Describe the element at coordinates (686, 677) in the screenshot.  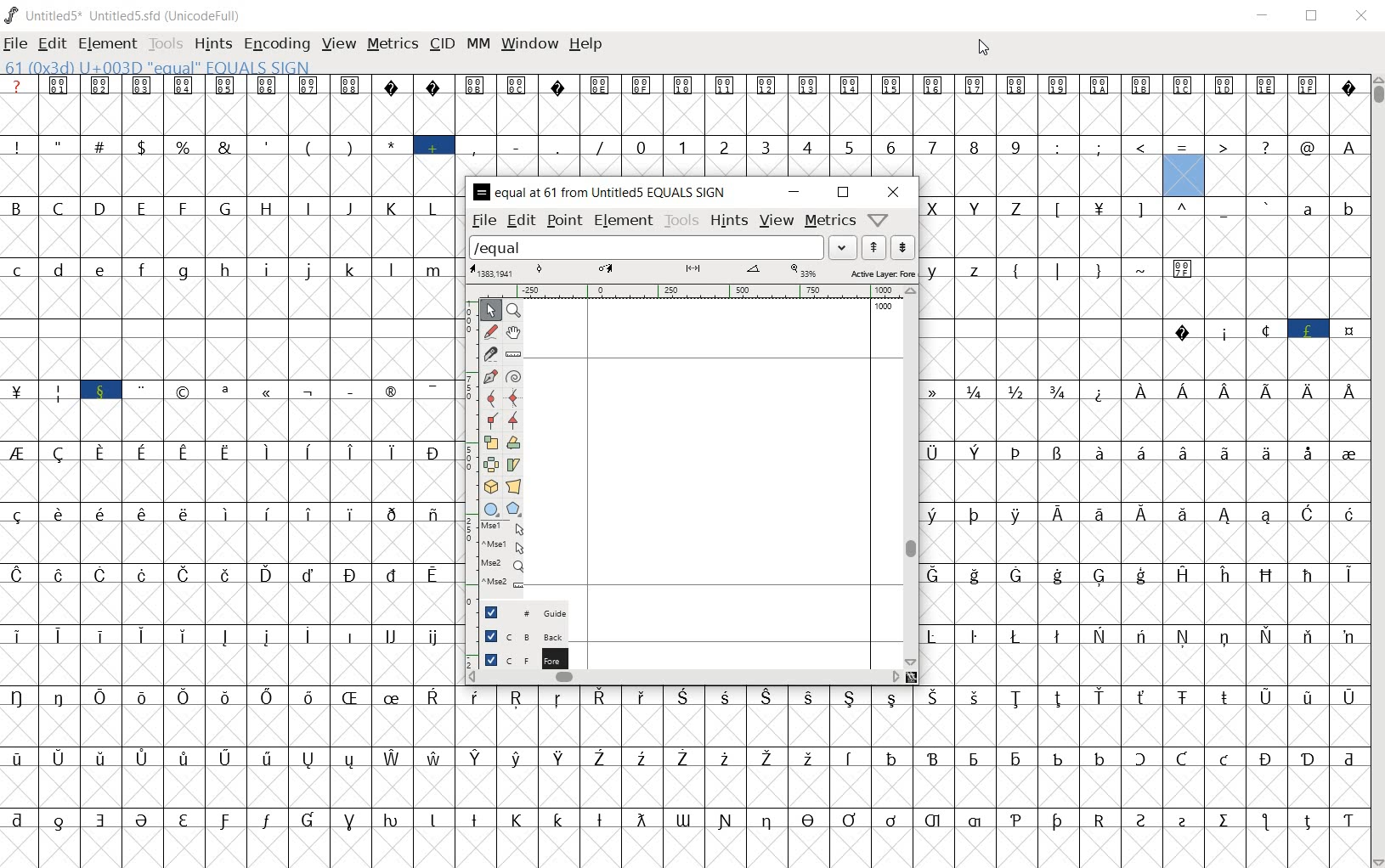
I see `scrollbar` at that location.